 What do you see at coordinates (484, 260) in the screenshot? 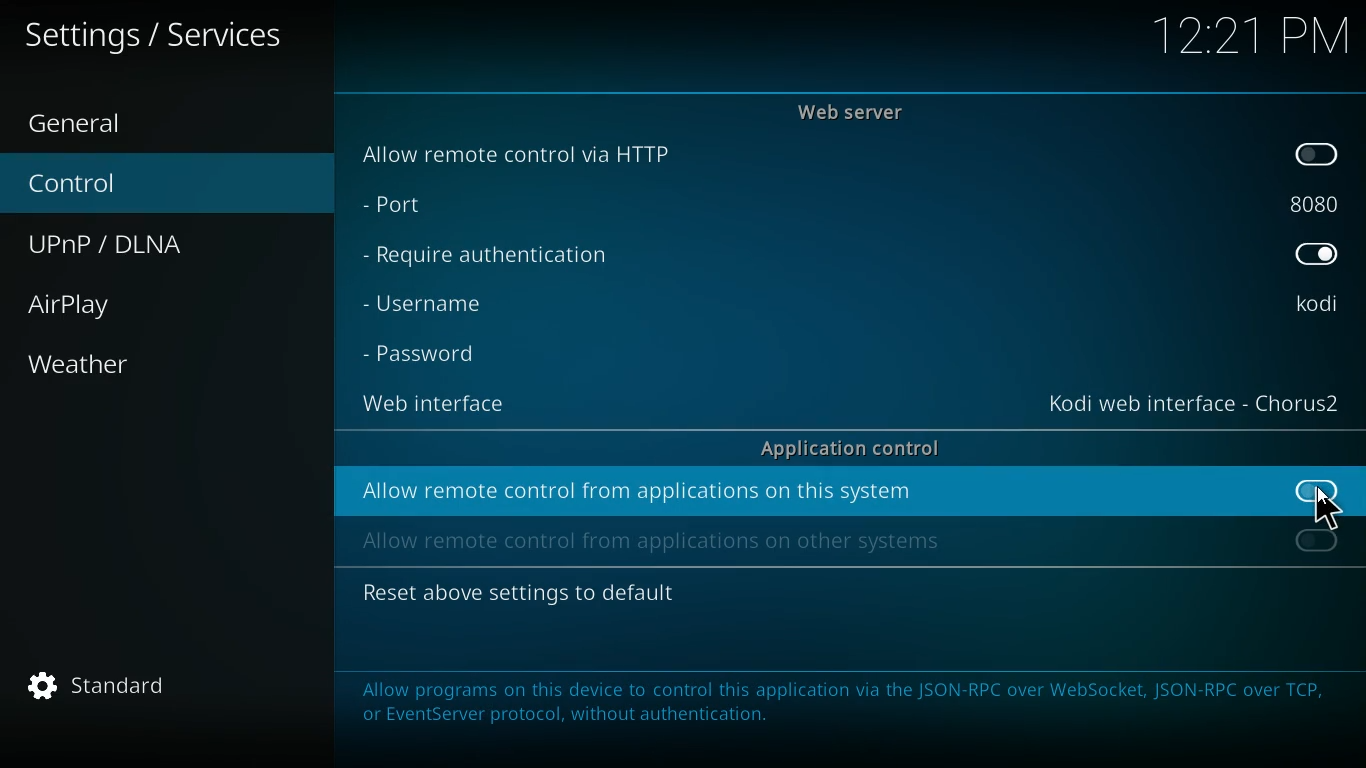
I see `require authentication` at bounding box center [484, 260].